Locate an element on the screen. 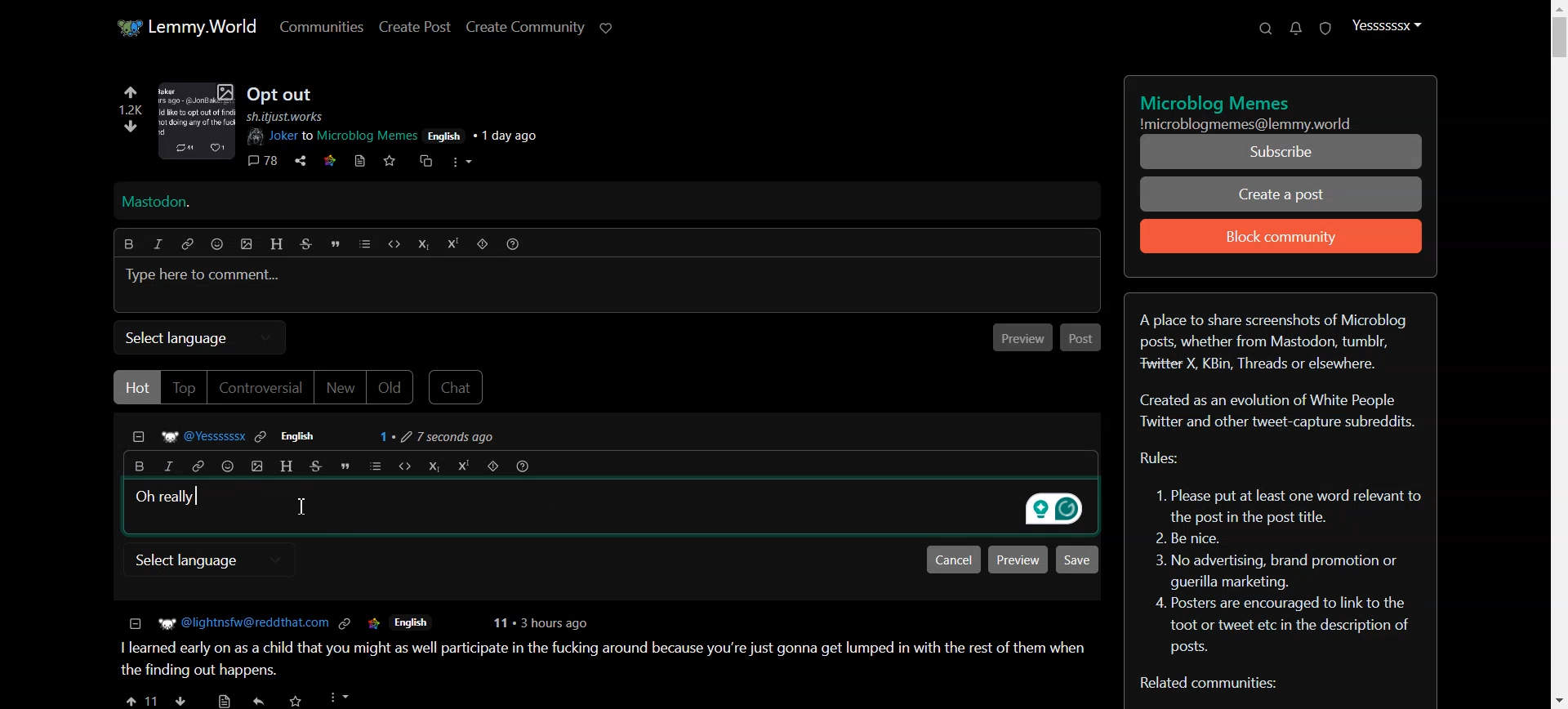  Emoji is located at coordinates (219, 243).